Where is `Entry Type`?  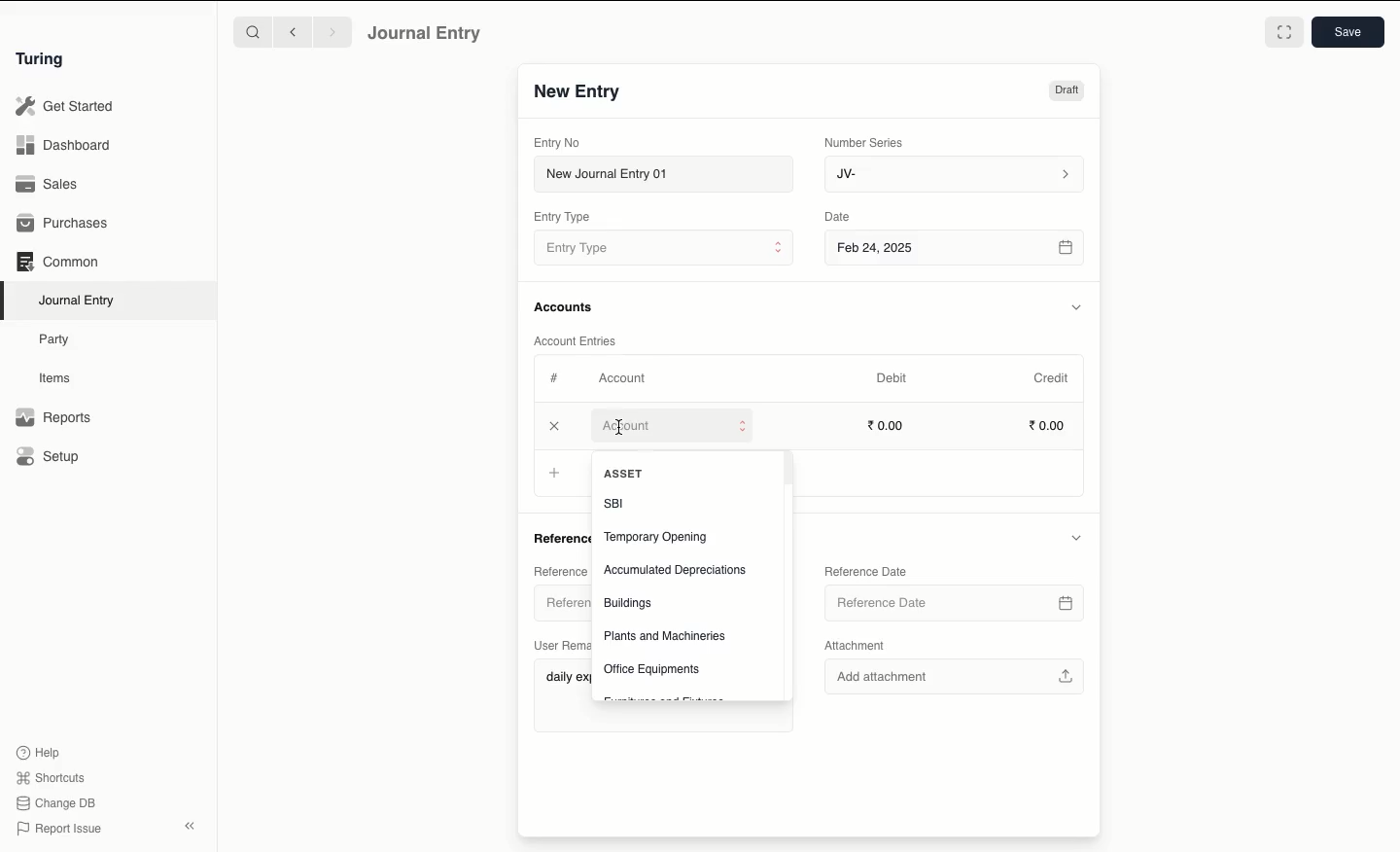 Entry Type is located at coordinates (562, 217).